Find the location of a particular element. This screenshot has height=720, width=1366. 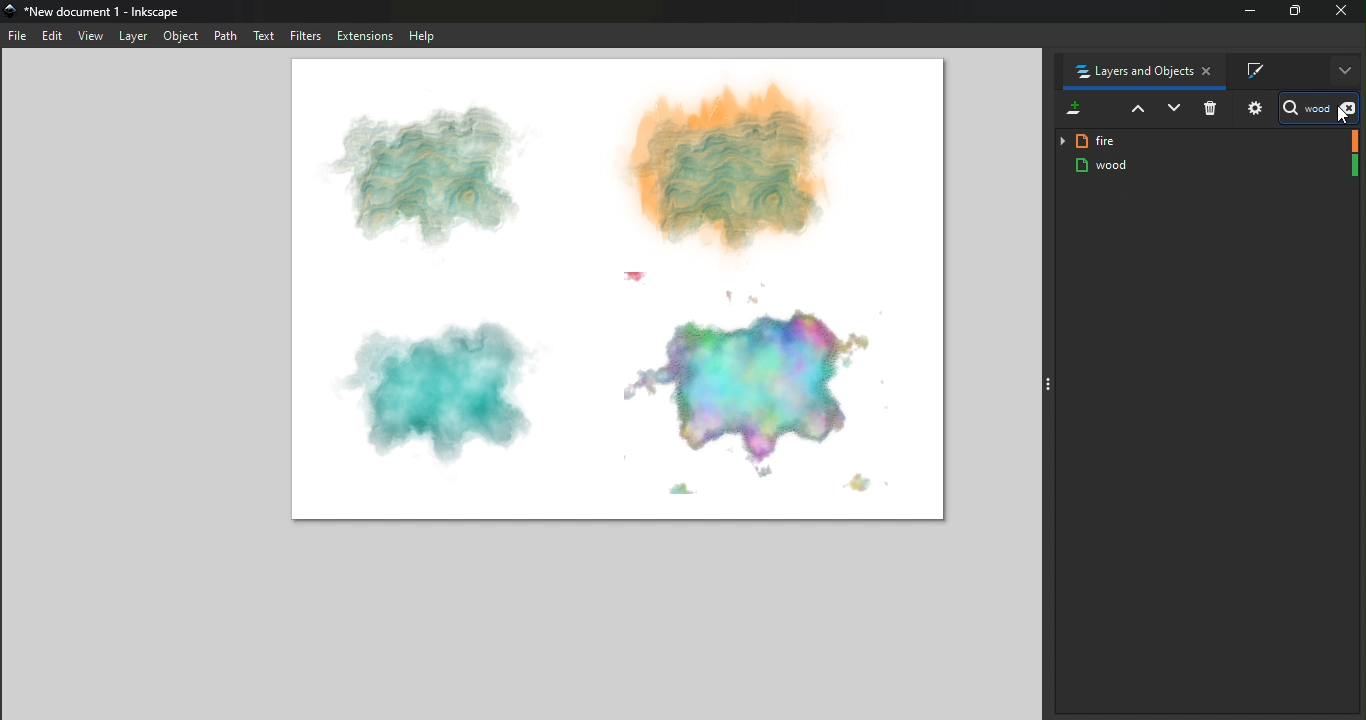

Canvas is located at coordinates (625, 292).